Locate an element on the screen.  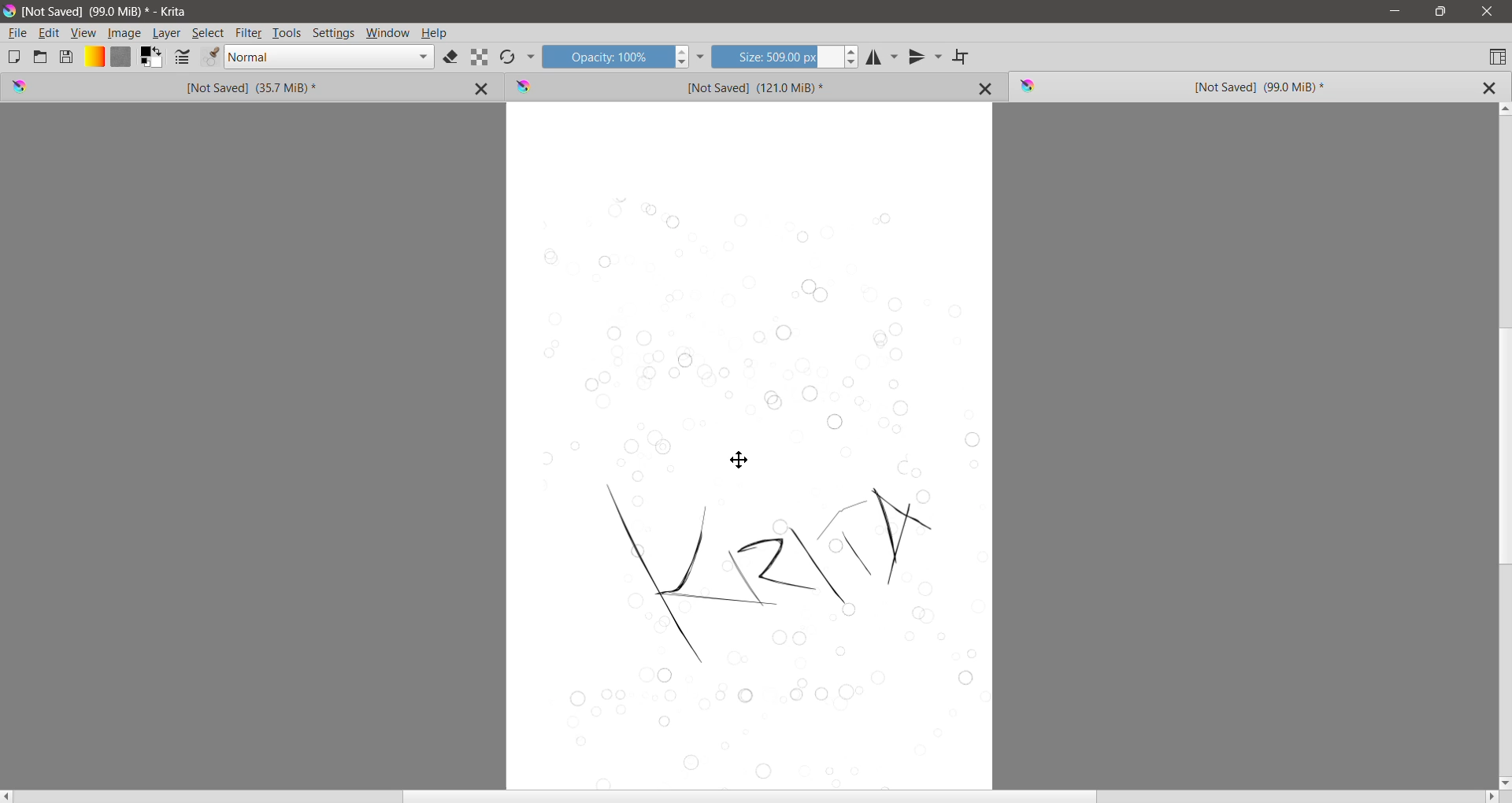
Select is located at coordinates (209, 33).